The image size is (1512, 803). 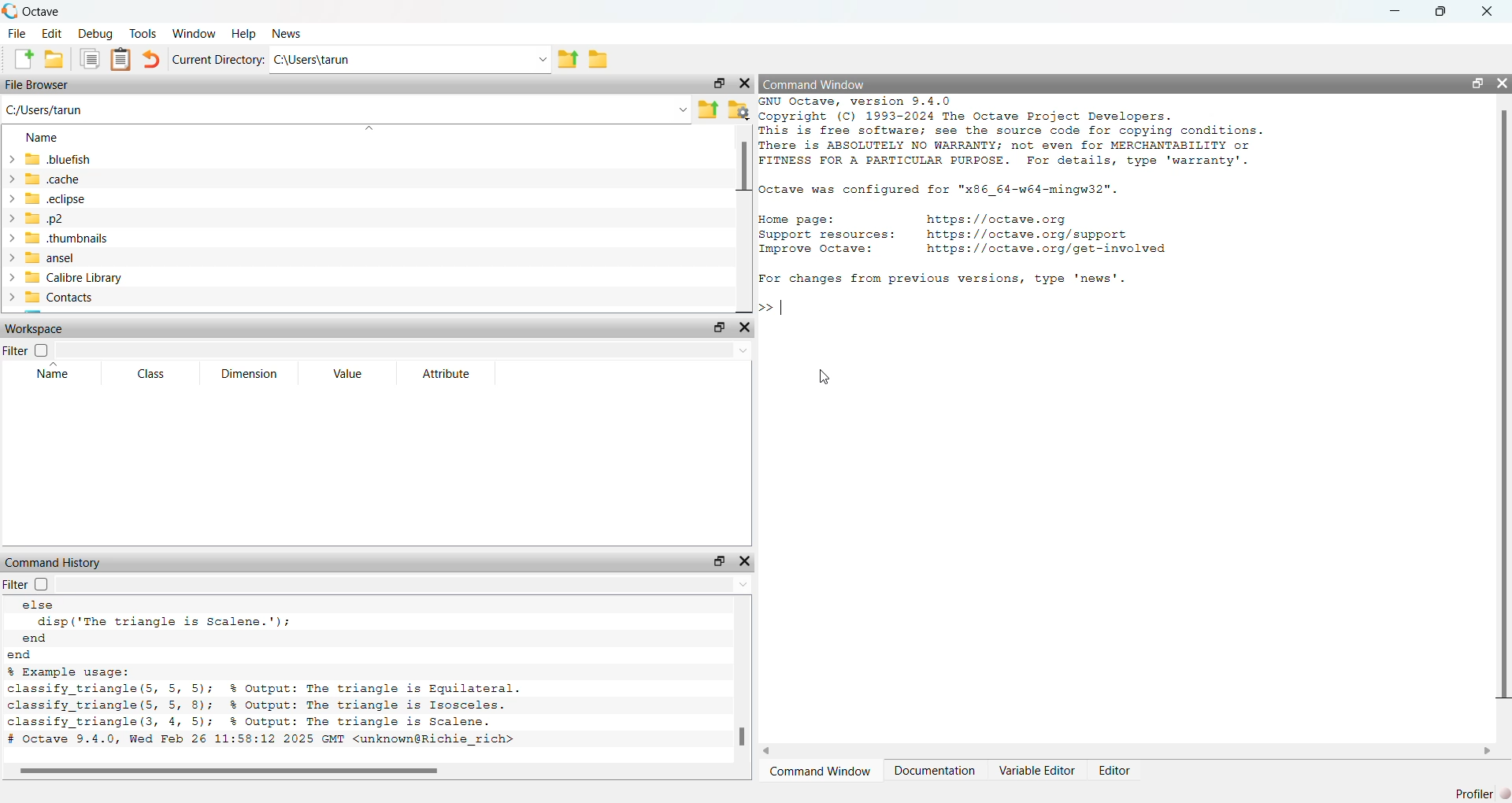 What do you see at coordinates (1115, 771) in the screenshot?
I see `editor` at bounding box center [1115, 771].